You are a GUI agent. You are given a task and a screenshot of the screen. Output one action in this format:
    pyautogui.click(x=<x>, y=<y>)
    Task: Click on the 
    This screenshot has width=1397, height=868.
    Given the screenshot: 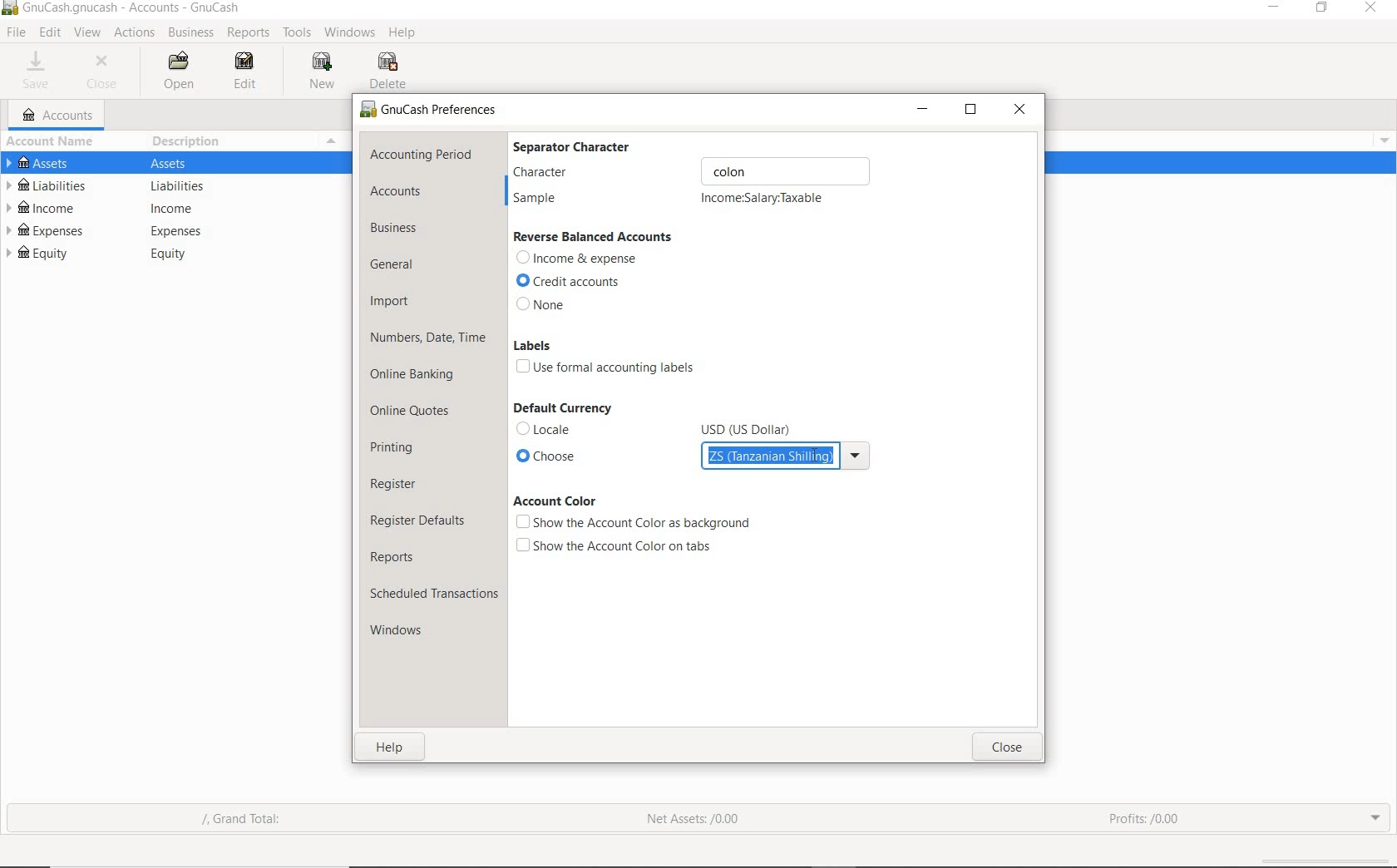 What is the action you would take?
    pyautogui.click(x=177, y=162)
    